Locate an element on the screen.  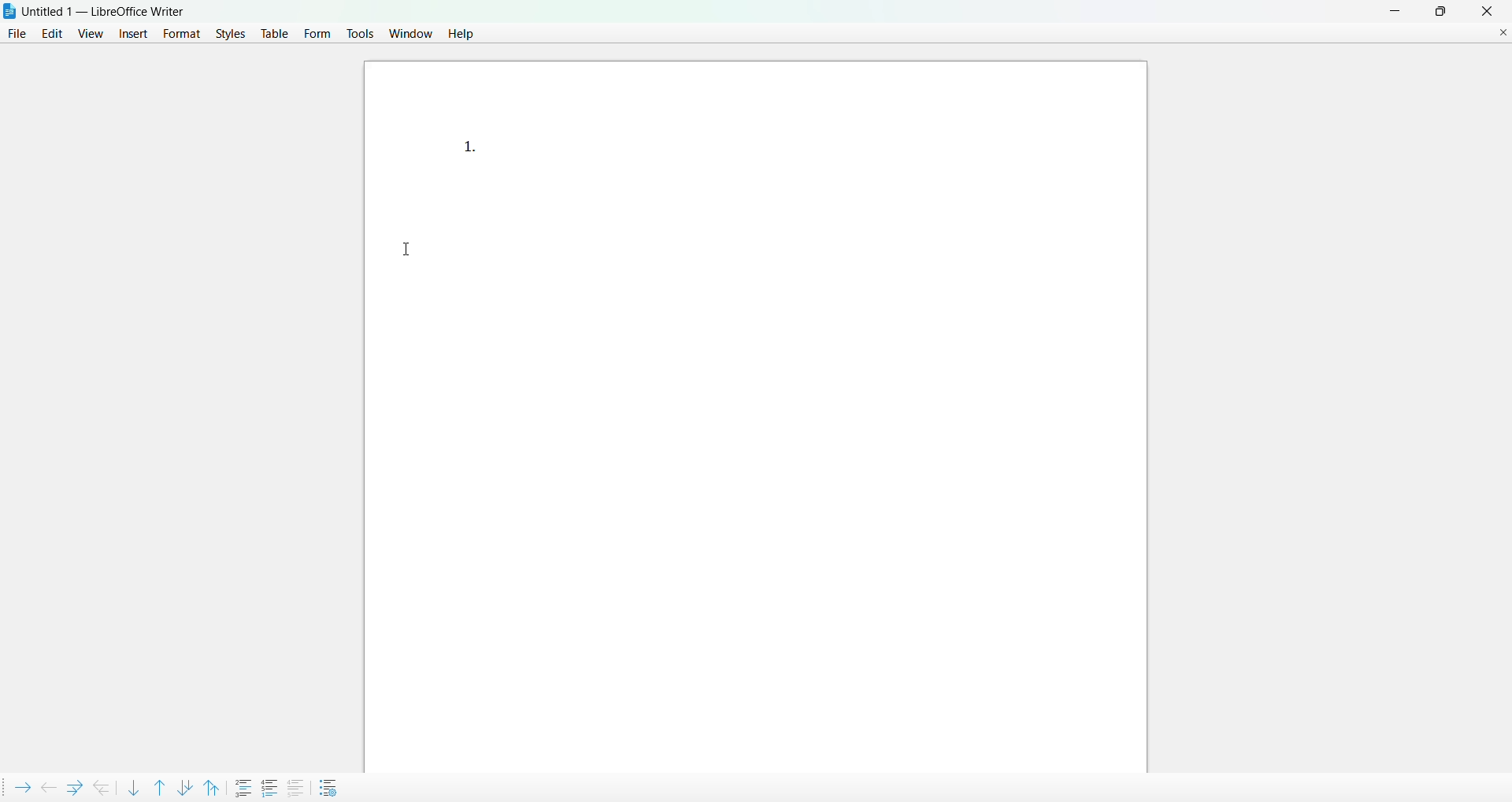
format is located at coordinates (178, 34).